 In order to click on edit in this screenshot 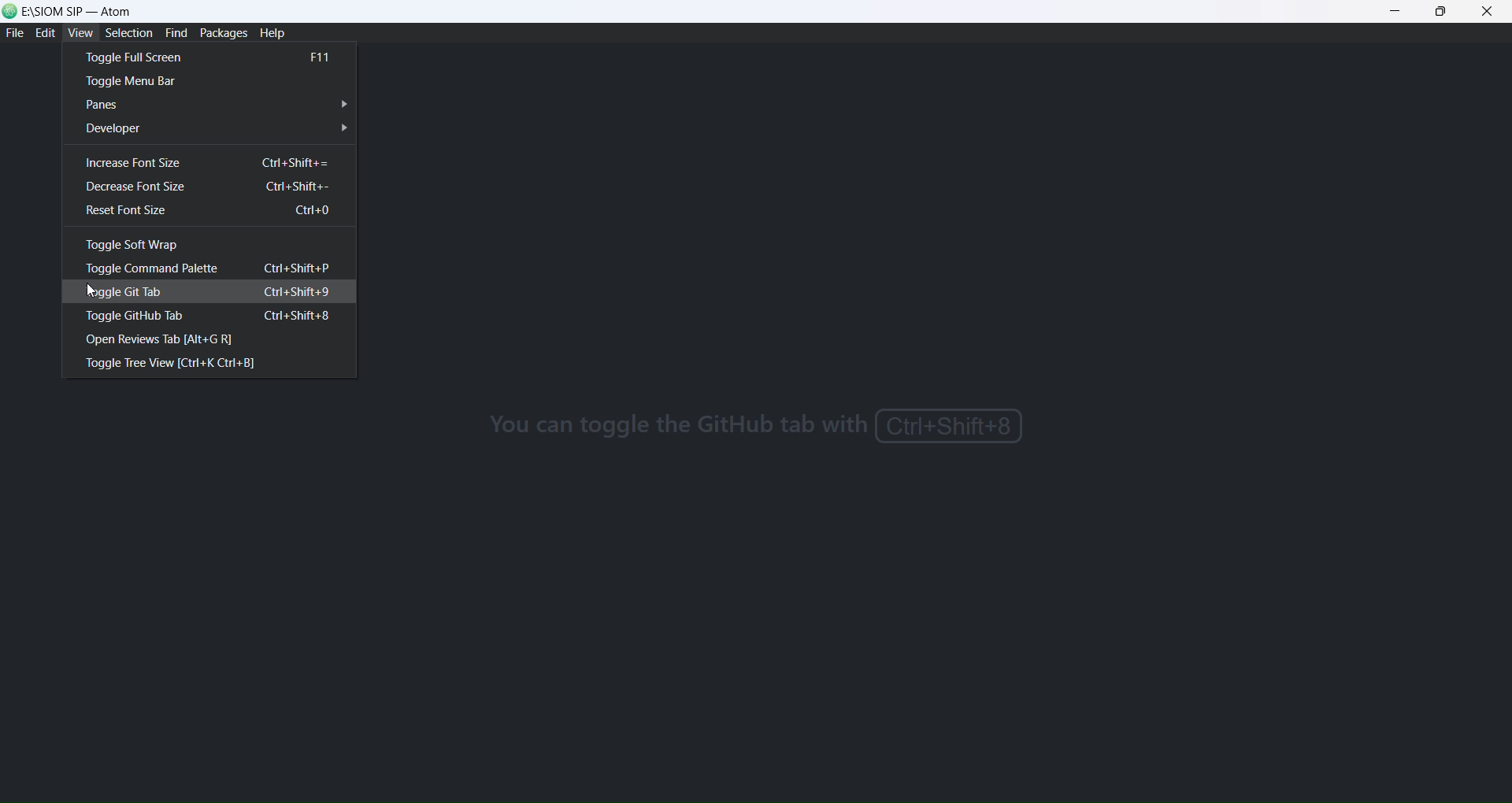, I will do `click(46, 35)`.